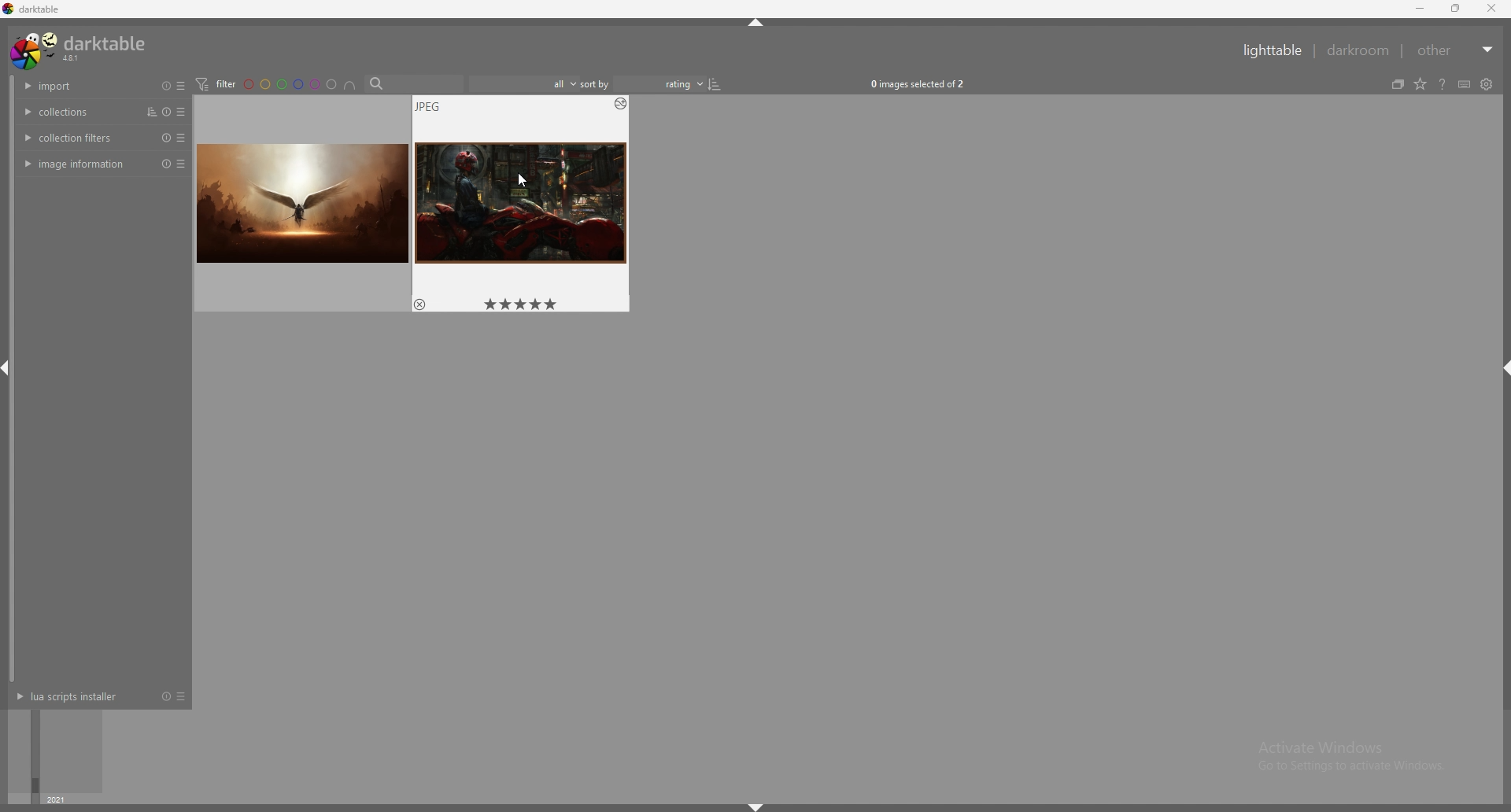 Image resolution: width=1511 pixels, height=812 pixels. What do you see at coordinates (182, 696) in the screenshot?
I see `presets` at bounding box center [182, 696].